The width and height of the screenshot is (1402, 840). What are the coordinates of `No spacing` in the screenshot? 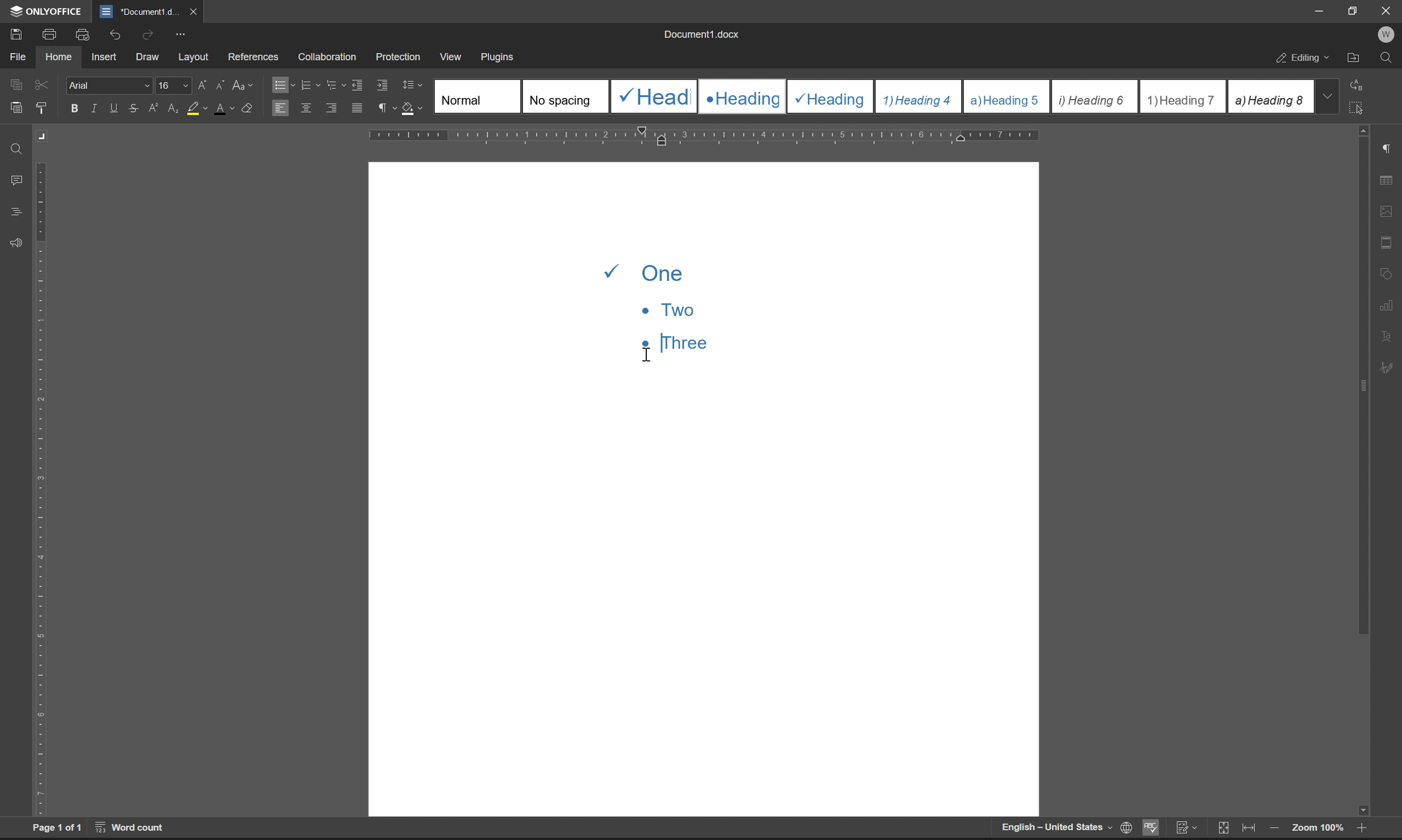 It's located at (564, 96).